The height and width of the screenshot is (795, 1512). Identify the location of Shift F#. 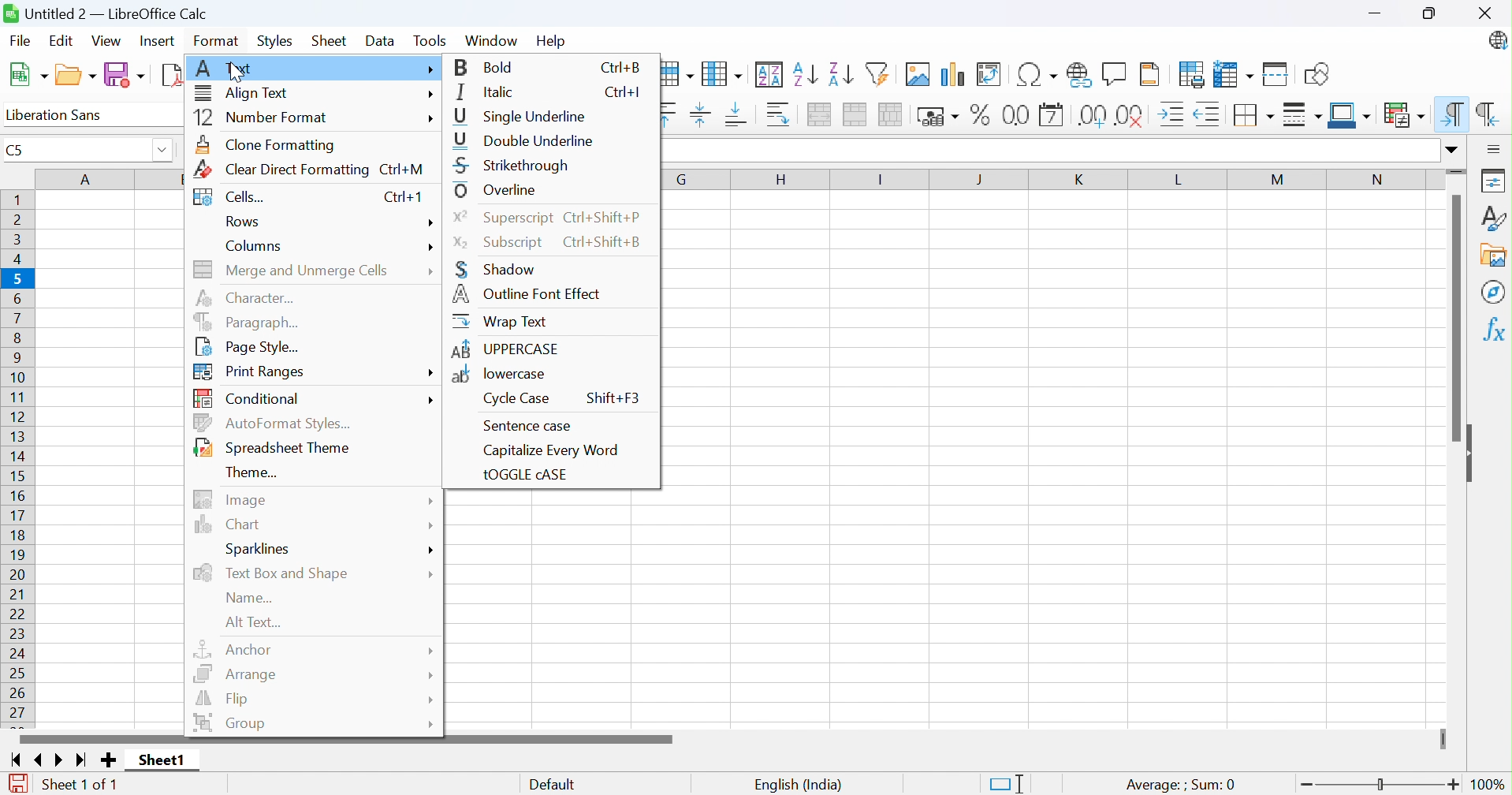
(616, 397).